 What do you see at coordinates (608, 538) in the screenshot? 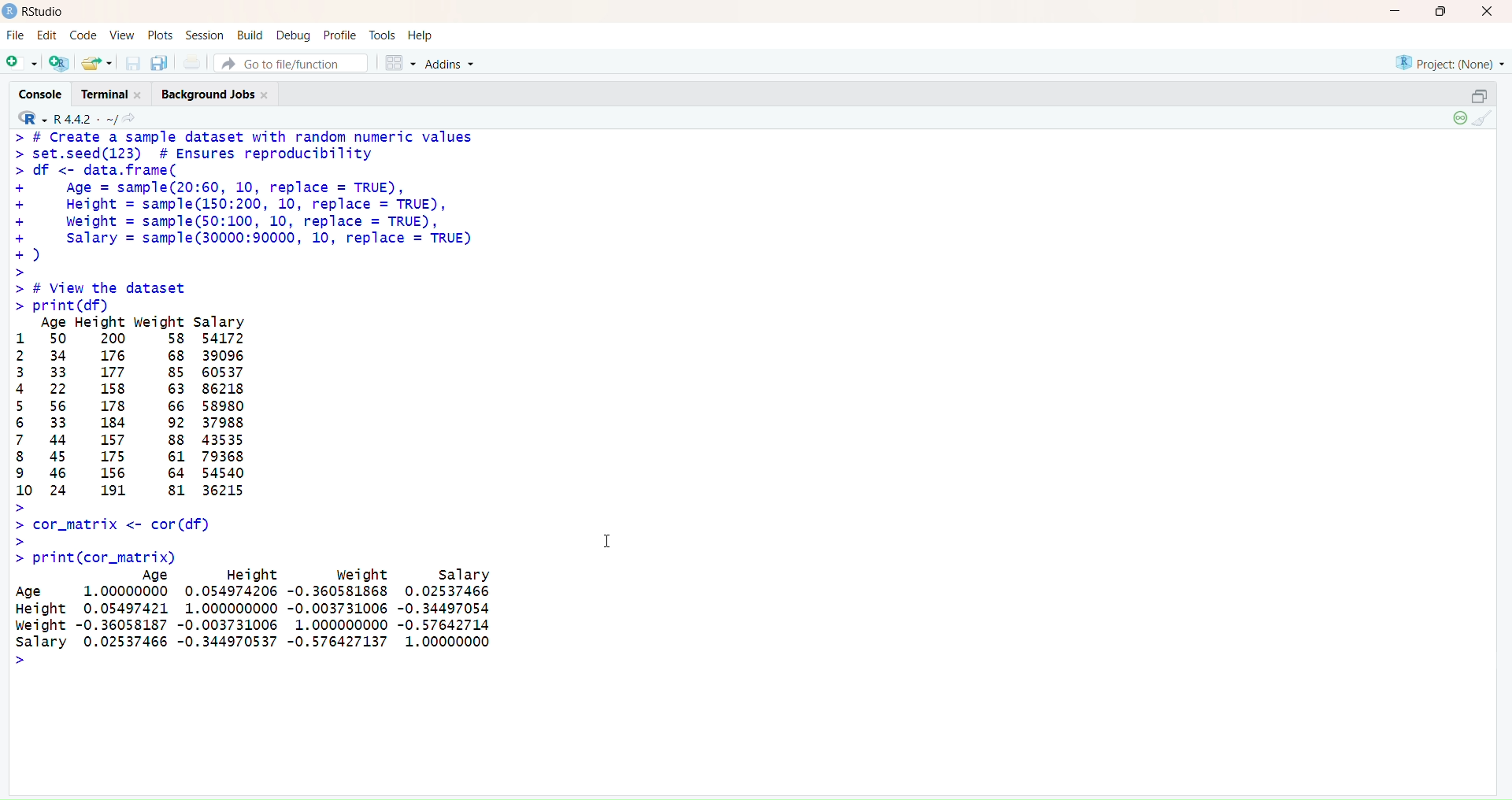
I see `Text cursor` at bounding box center [608, 538].